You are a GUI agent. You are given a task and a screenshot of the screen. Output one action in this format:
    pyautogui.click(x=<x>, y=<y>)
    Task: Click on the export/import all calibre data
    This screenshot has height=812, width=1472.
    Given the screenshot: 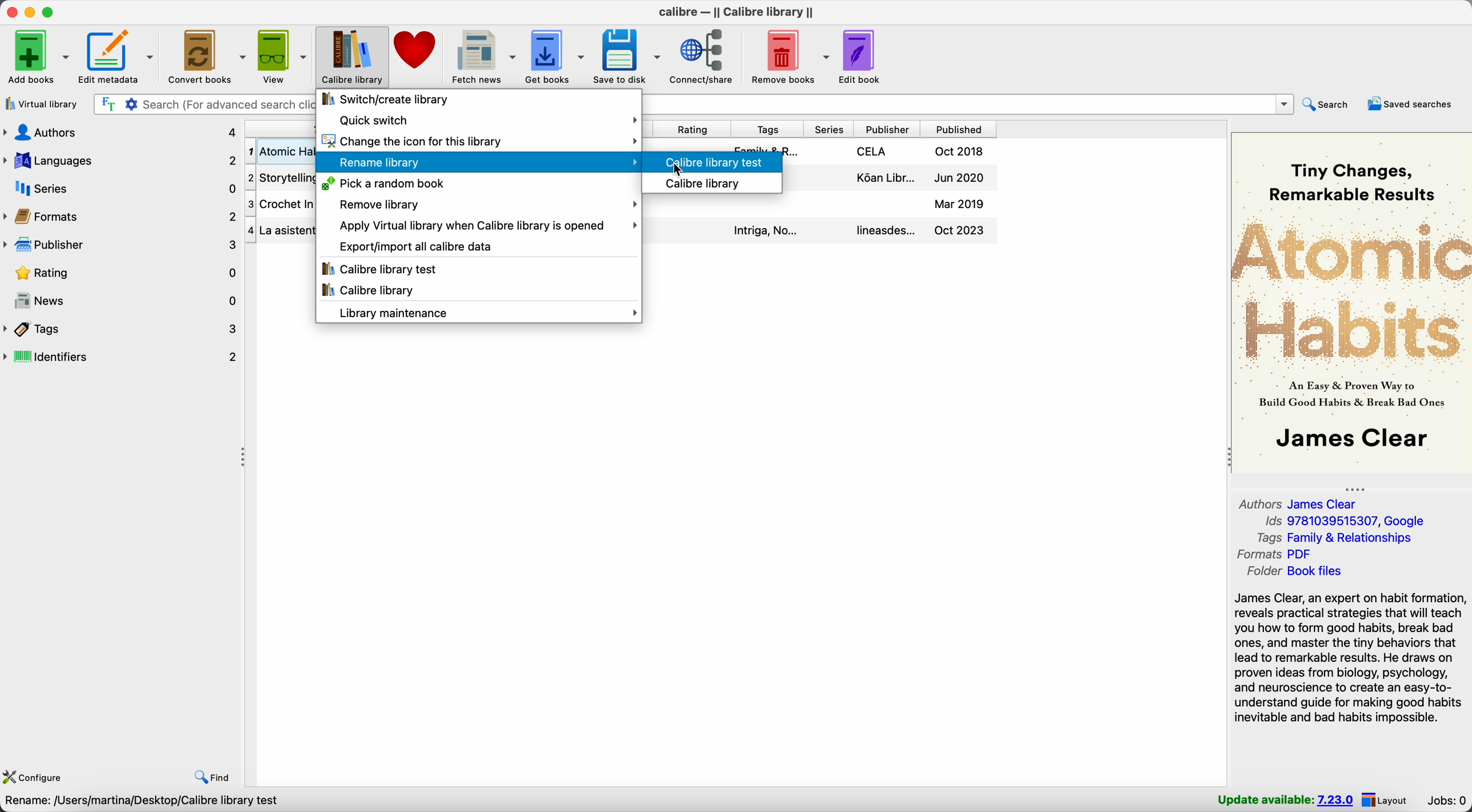 What is the action you would take?
    pyautogui.click(x=414, y=245)
    